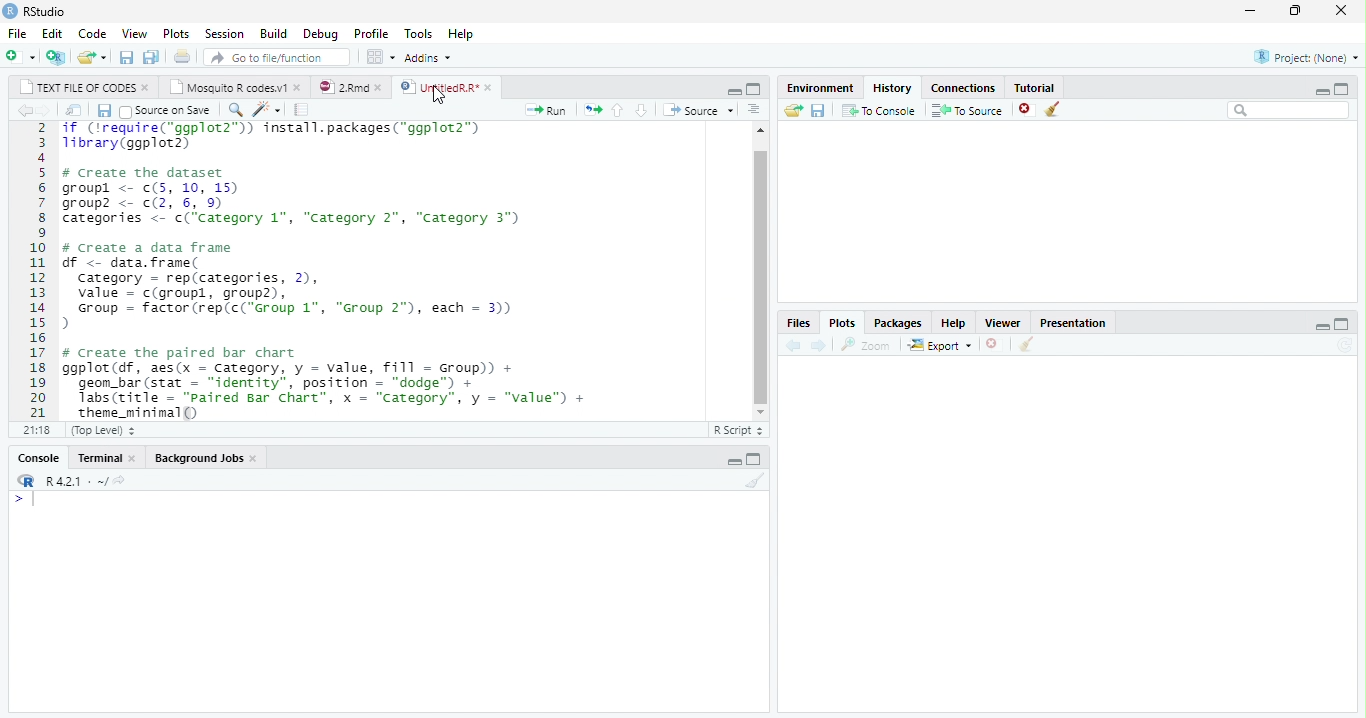  I want to click on if (treguire(“ggplot2™)) install.packages("ggplot2™)Tibrary(ggplot2)# Create the datasetgroupl <- c(5, 10, 15)group? <- c(2, 6, 9)Categories <- c(‘Category 1", “Category 2", “Category 3")# Create a data framedf <- data. frame(category = rep(categories, 2),value = c(groupl, group2),Group = factor (rep(c("Group 1", “Group 2°), each = 3))># Create the paired bar chartggplot (df, aes(x = Category, y = value, fill = Group) +geom_bar (stat = “identity”, position = "dodge™) +Tabs (title = "Paired Bar Chart”, x = “Category”, y = “value") +theme_minimal(), so click(347, 271).